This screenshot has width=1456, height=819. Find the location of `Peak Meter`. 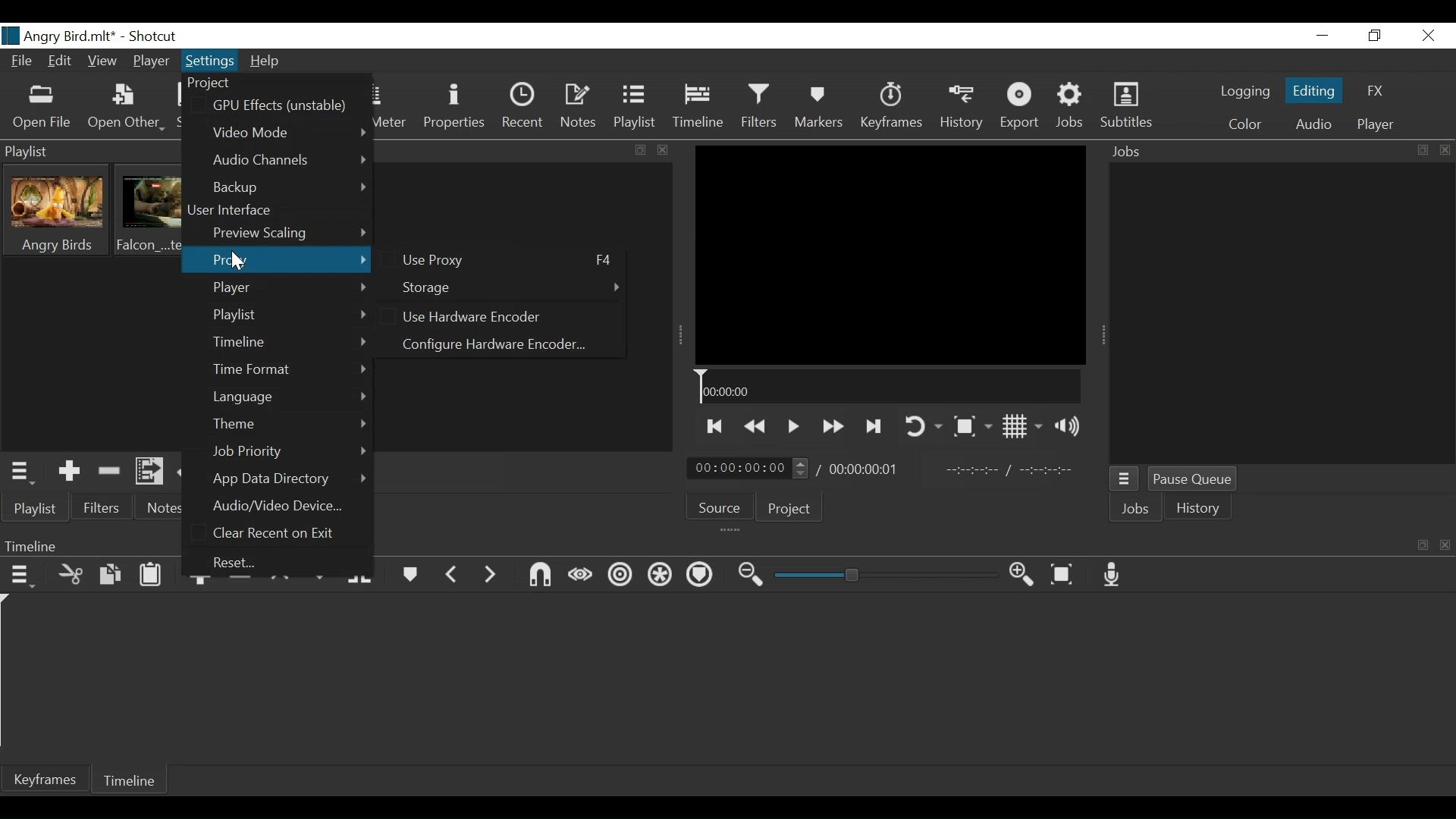

Peak Meter is located at coordinates (393, 108).